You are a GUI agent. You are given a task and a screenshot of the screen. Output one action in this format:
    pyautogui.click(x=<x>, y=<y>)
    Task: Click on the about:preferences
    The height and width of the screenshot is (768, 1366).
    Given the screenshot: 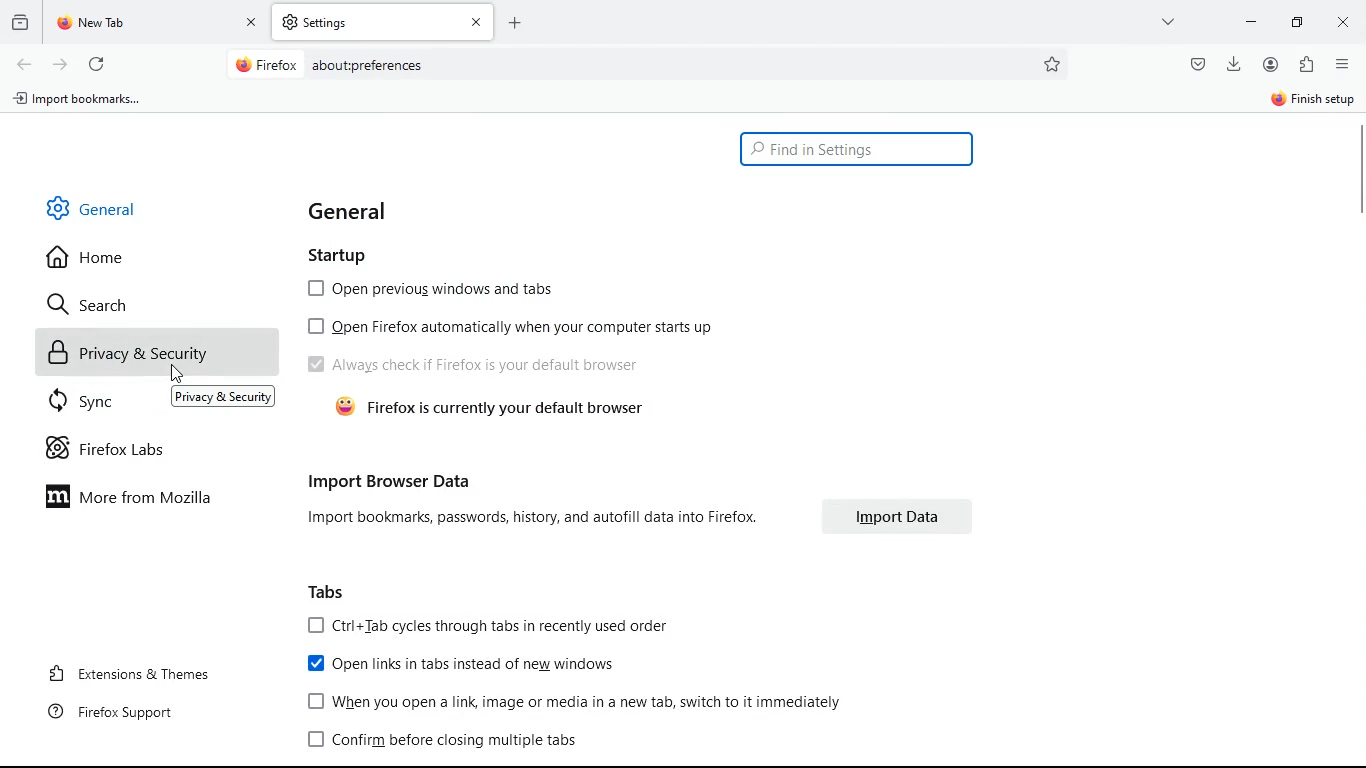 What is the action you would take?
    pyautogui.click(x=367, y=68)
    